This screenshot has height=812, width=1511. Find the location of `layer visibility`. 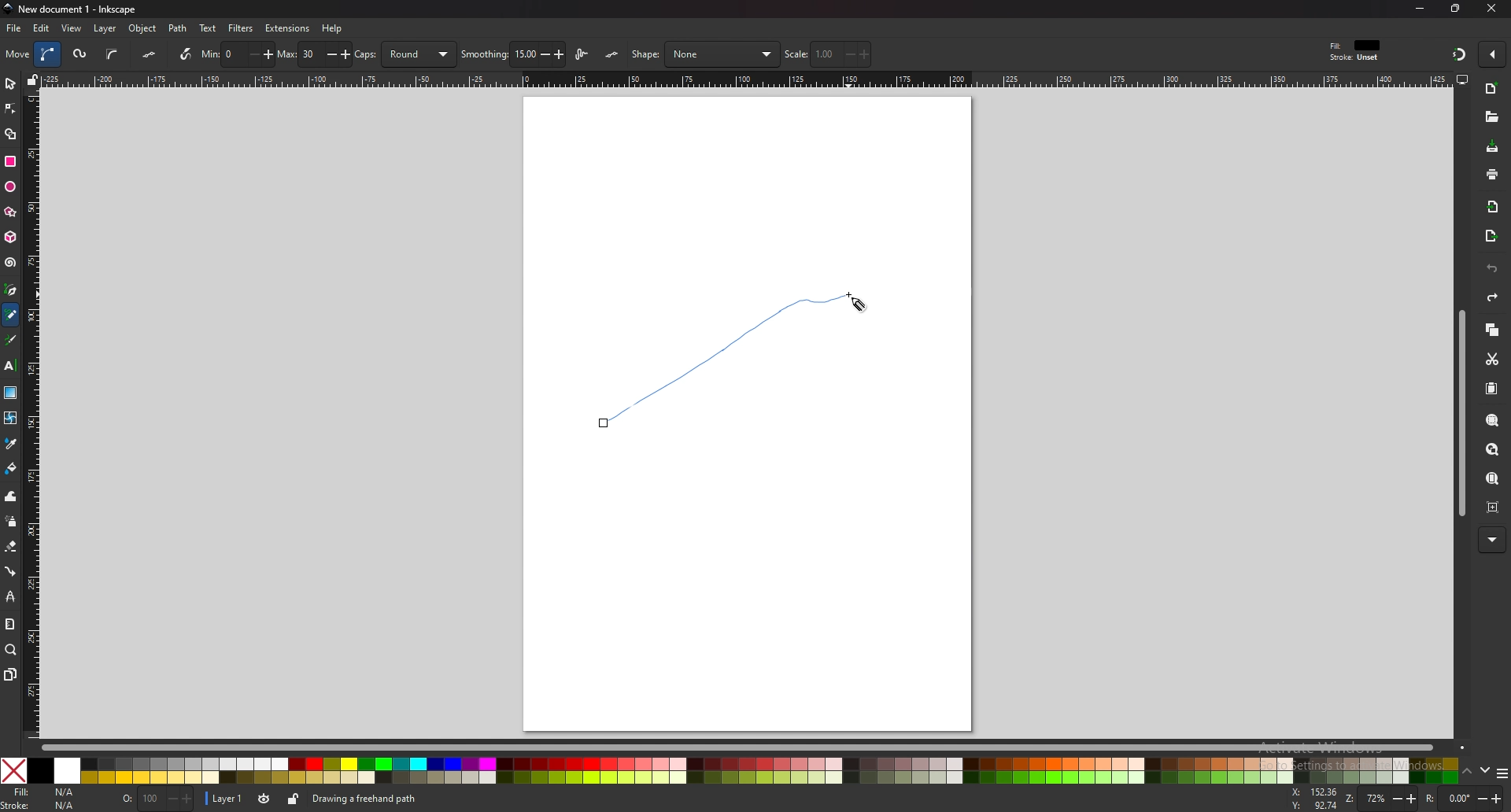

layer visibility is located at coordinates (263, 799).